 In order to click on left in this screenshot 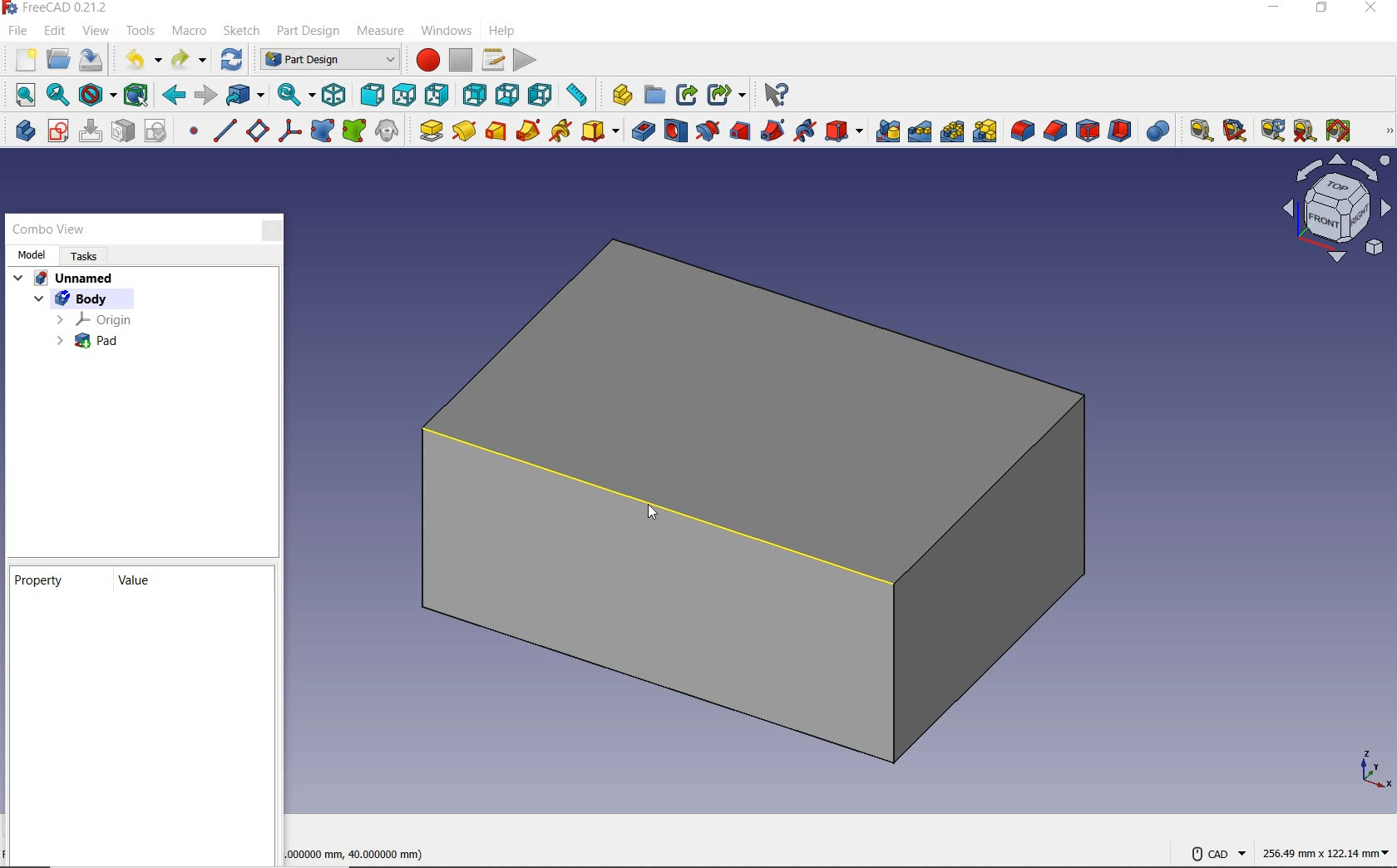, I will do `click(542, 94)`.